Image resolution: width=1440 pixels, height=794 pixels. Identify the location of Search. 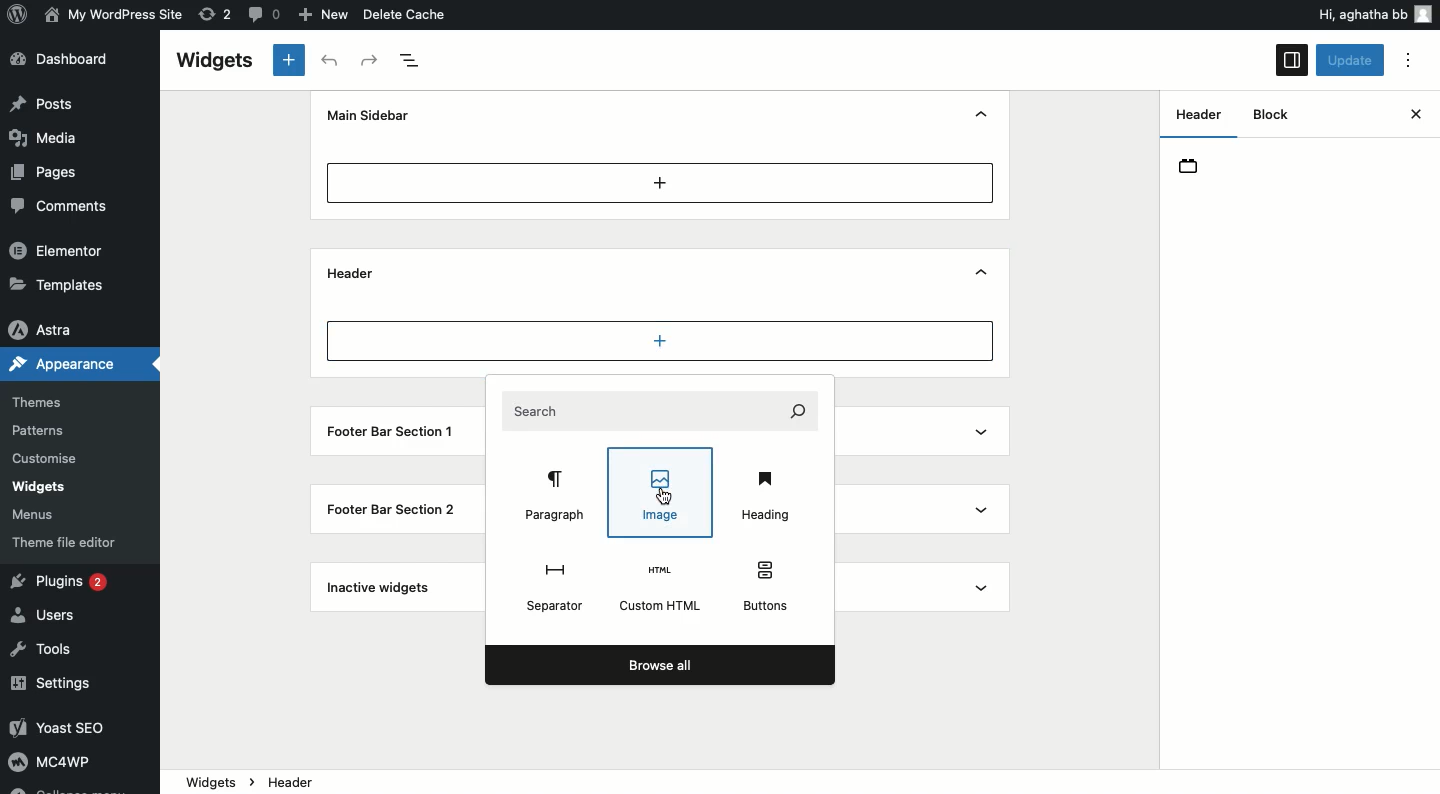
(658, 412).